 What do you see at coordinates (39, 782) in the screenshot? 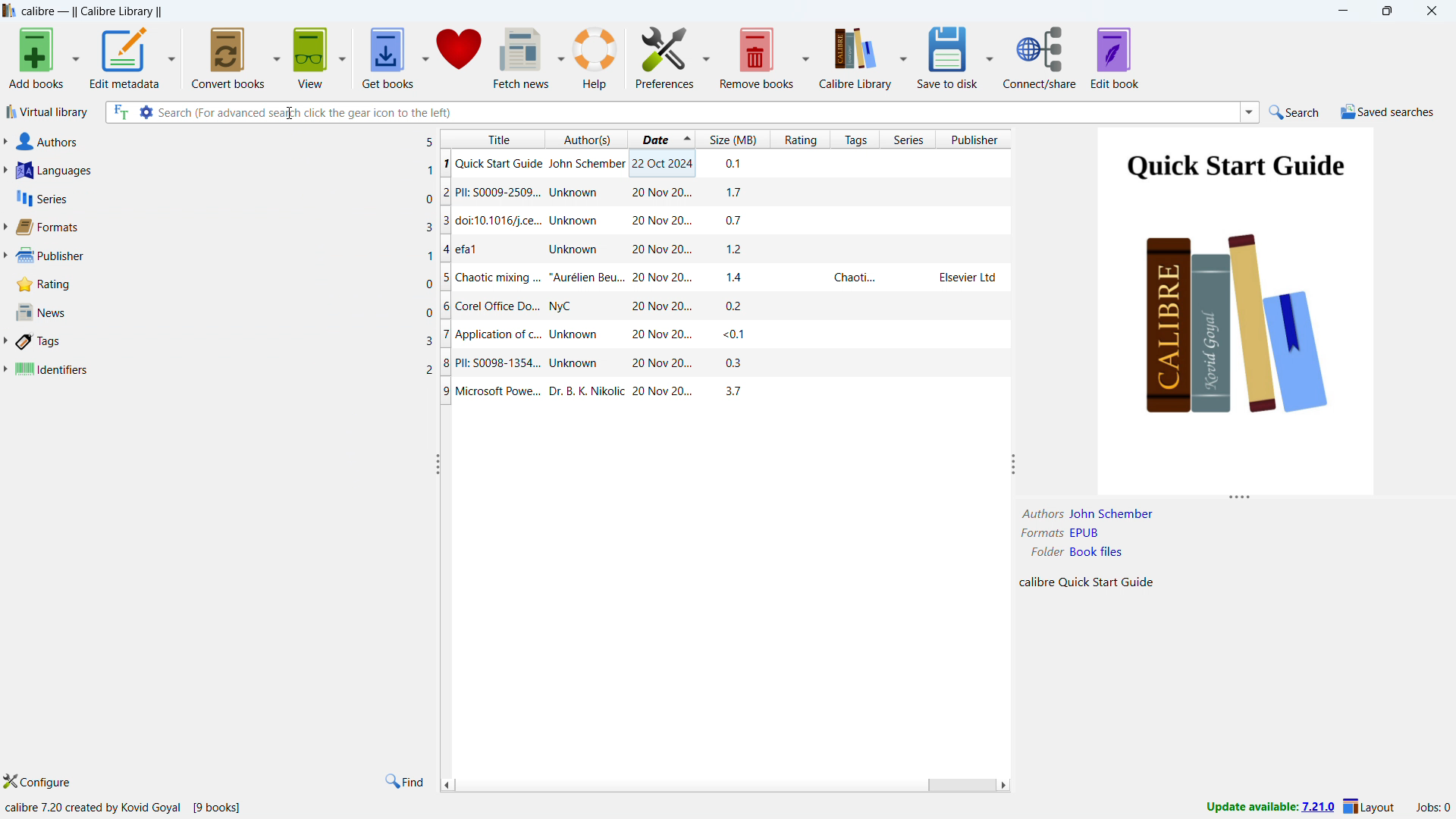
I see `configure` at bounding box center [39, 782].